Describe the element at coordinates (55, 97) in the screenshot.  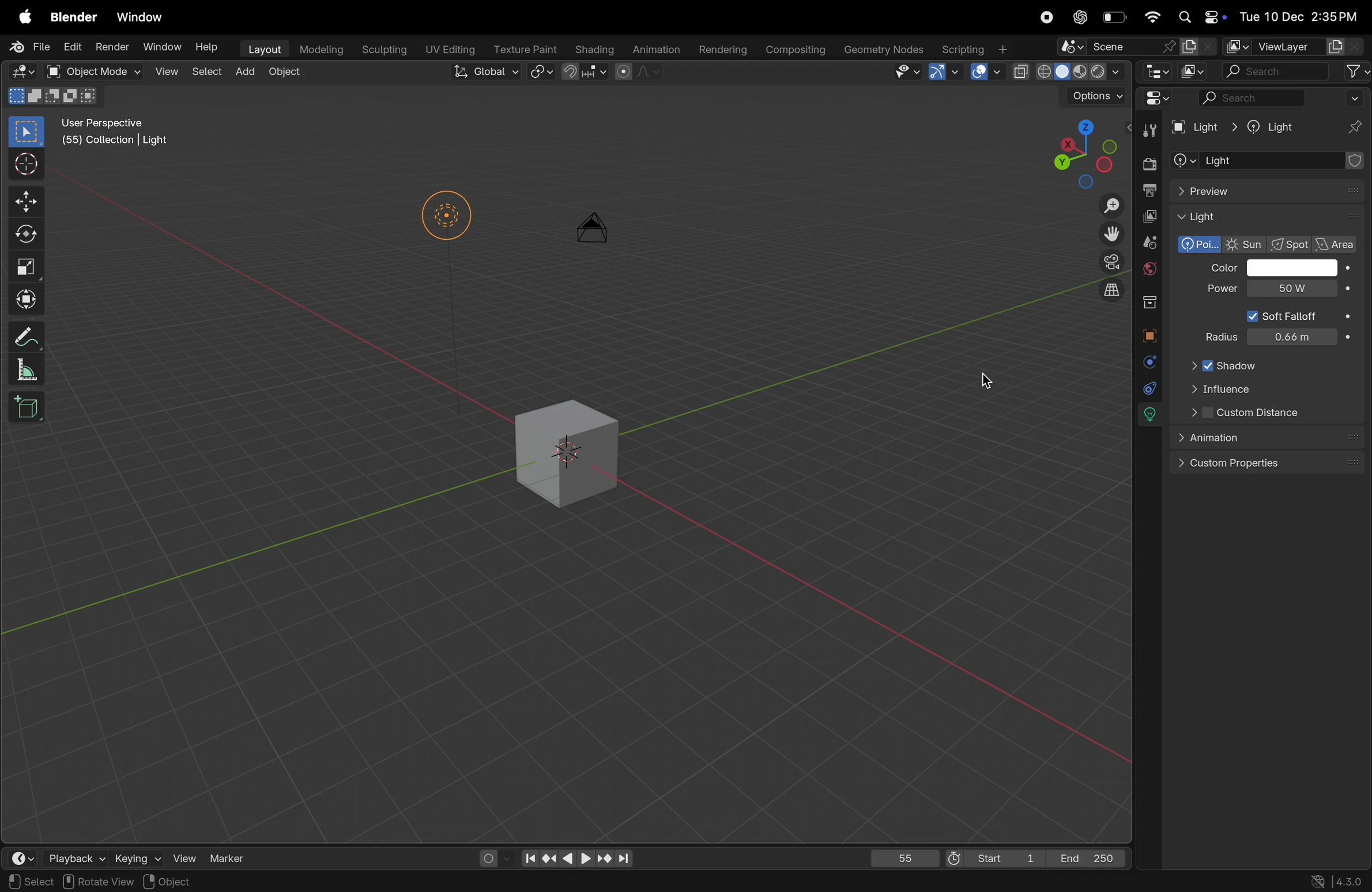
I see `modes` at that location.